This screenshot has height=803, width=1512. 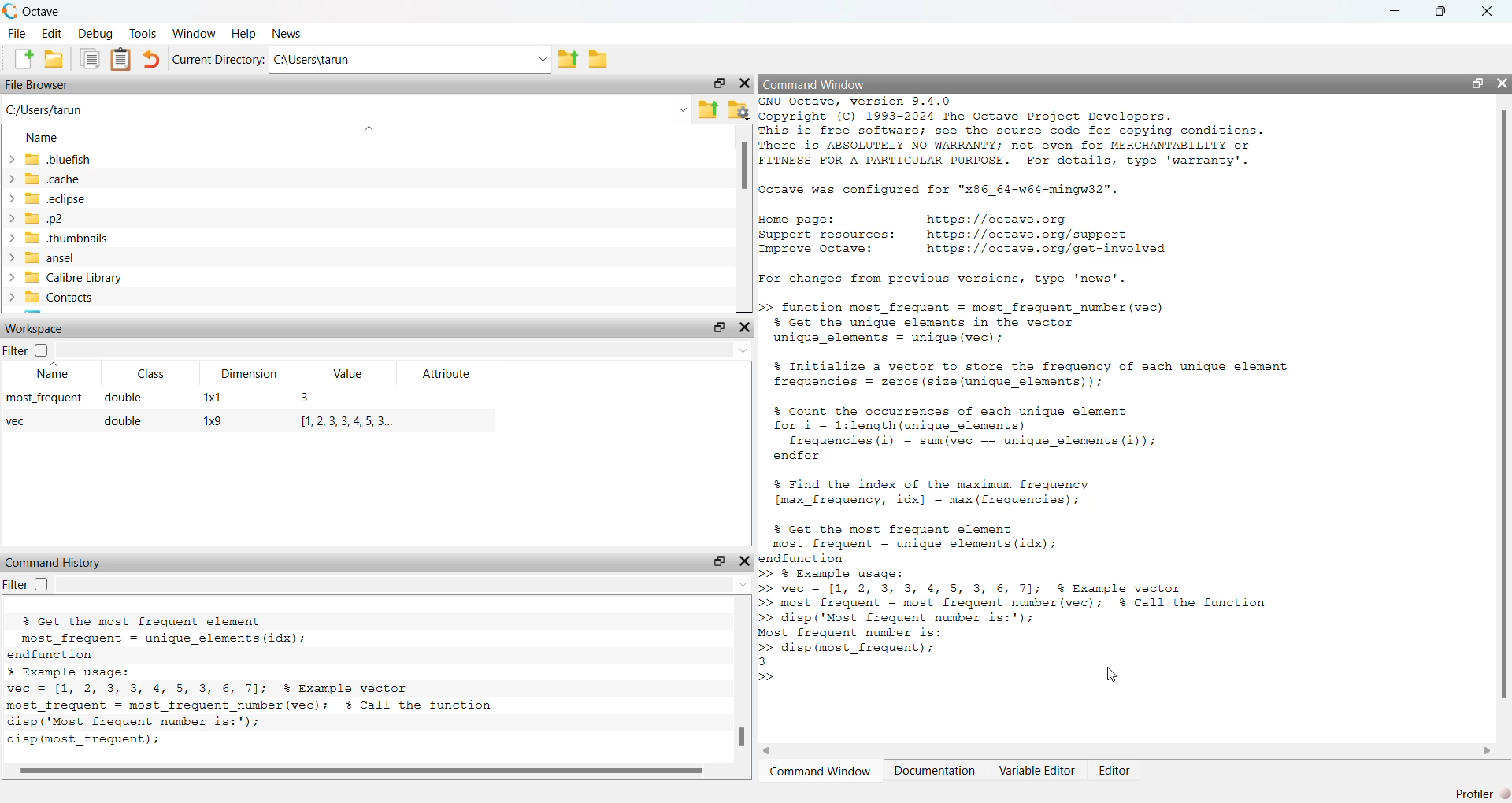 I want to click on Undo, so click(x=153, y=59).